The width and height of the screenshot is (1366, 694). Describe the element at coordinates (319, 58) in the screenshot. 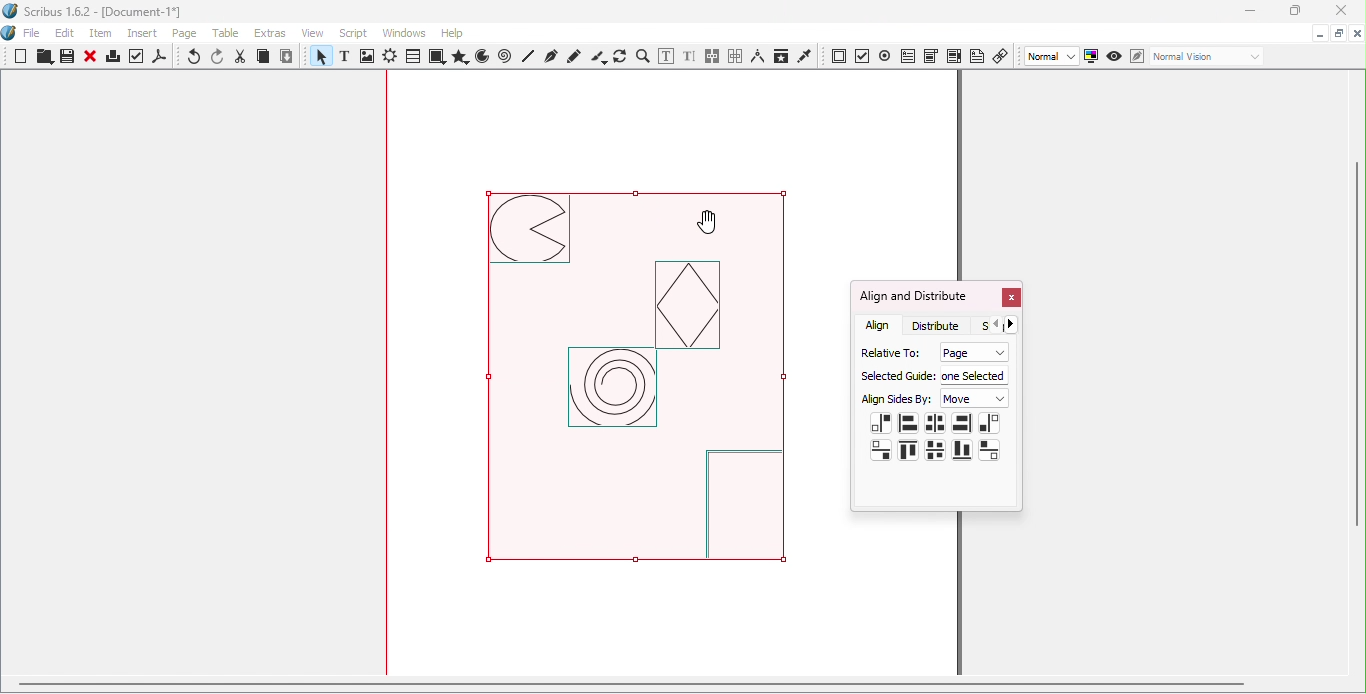

I see `Select item` at that location.